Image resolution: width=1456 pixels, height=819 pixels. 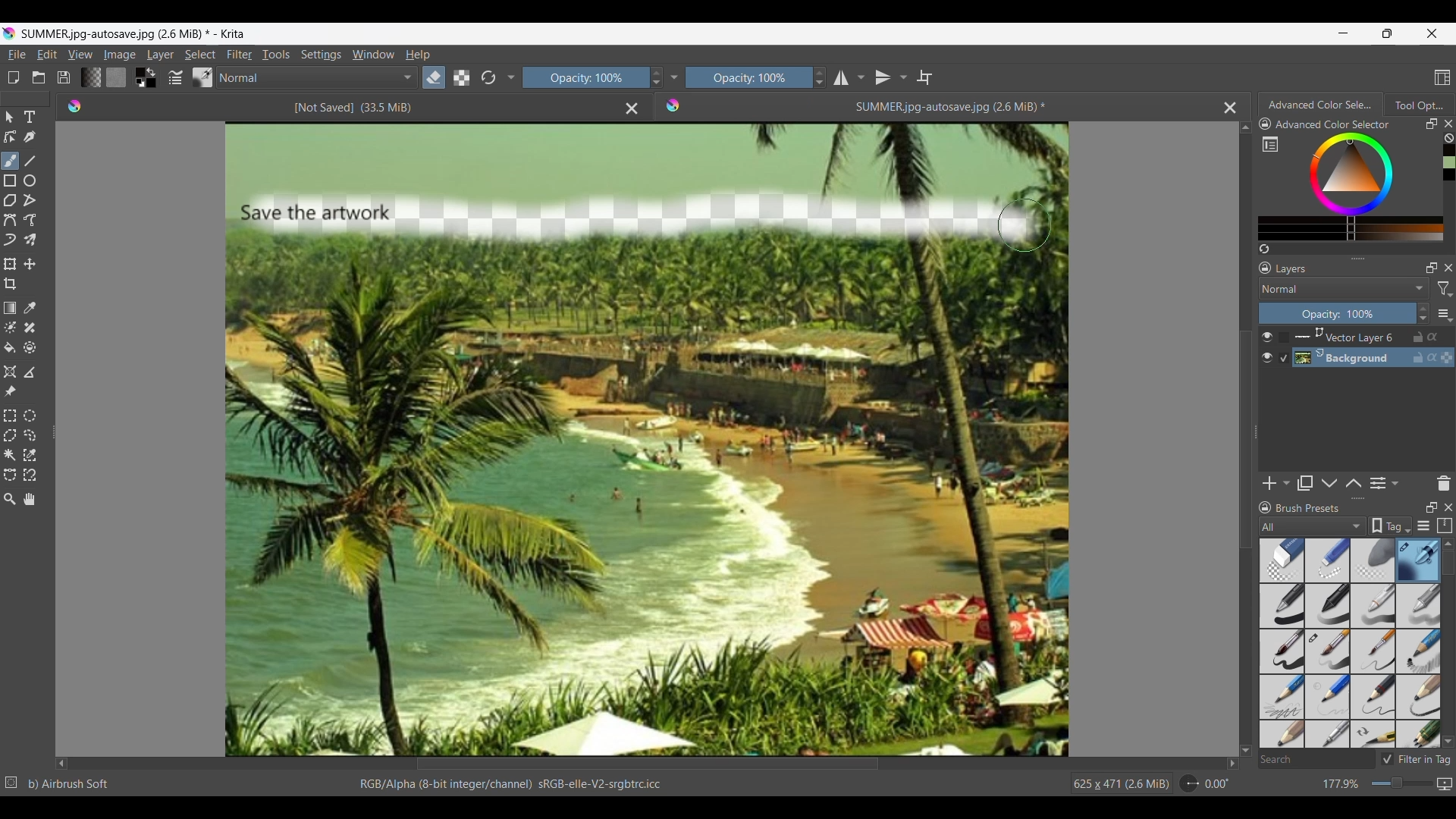 What do you see at coordinates (1246, 128) in the screenshot?
I see `Quick slide to top` at bounding box center [1246, 128].